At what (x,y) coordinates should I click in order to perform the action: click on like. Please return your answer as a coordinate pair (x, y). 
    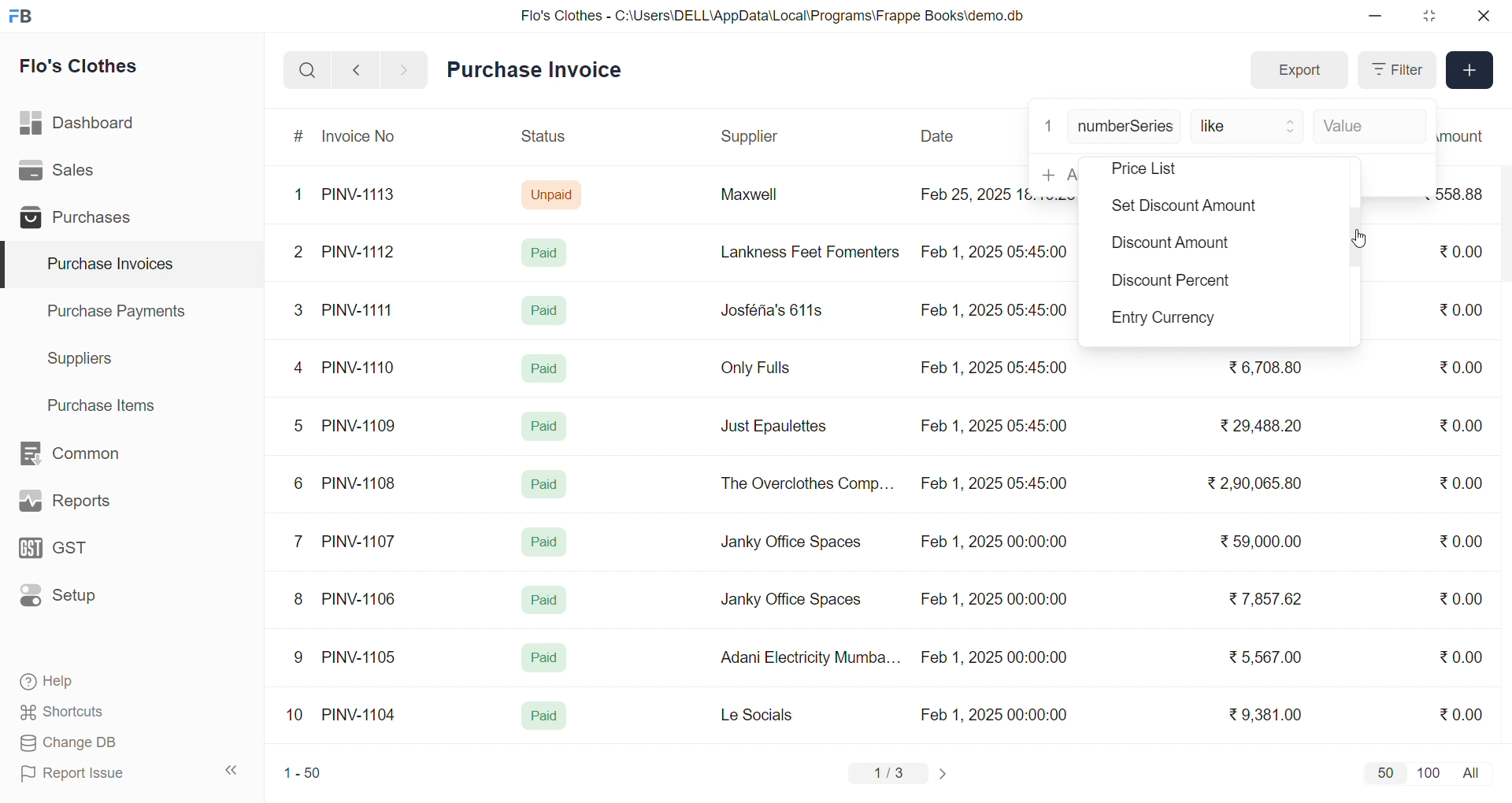
    Looking at the image, I should click on (1249, 128).